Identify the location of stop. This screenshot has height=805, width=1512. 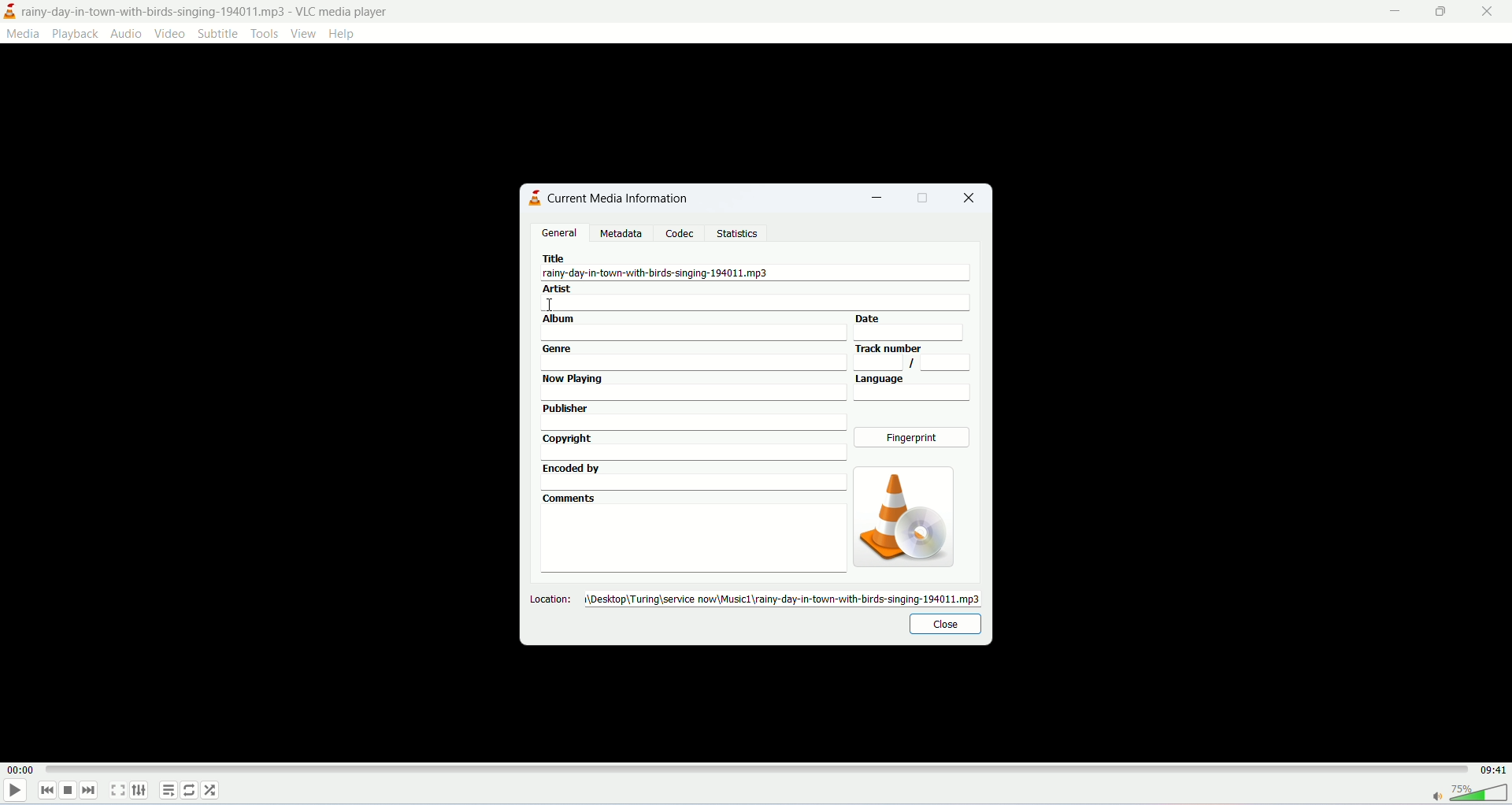
(69, 788).